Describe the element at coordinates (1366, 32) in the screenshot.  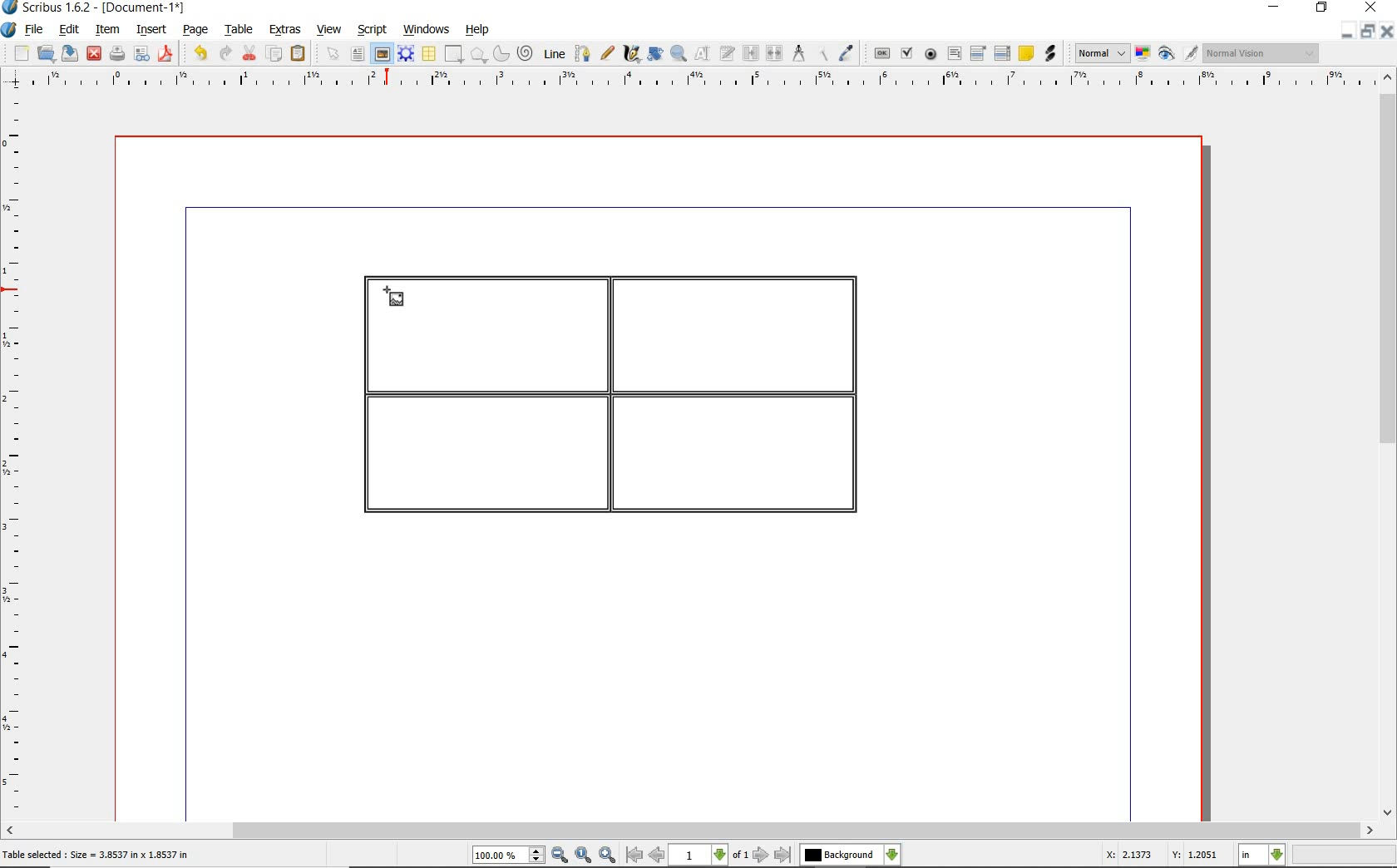
I see `restore` at that location.